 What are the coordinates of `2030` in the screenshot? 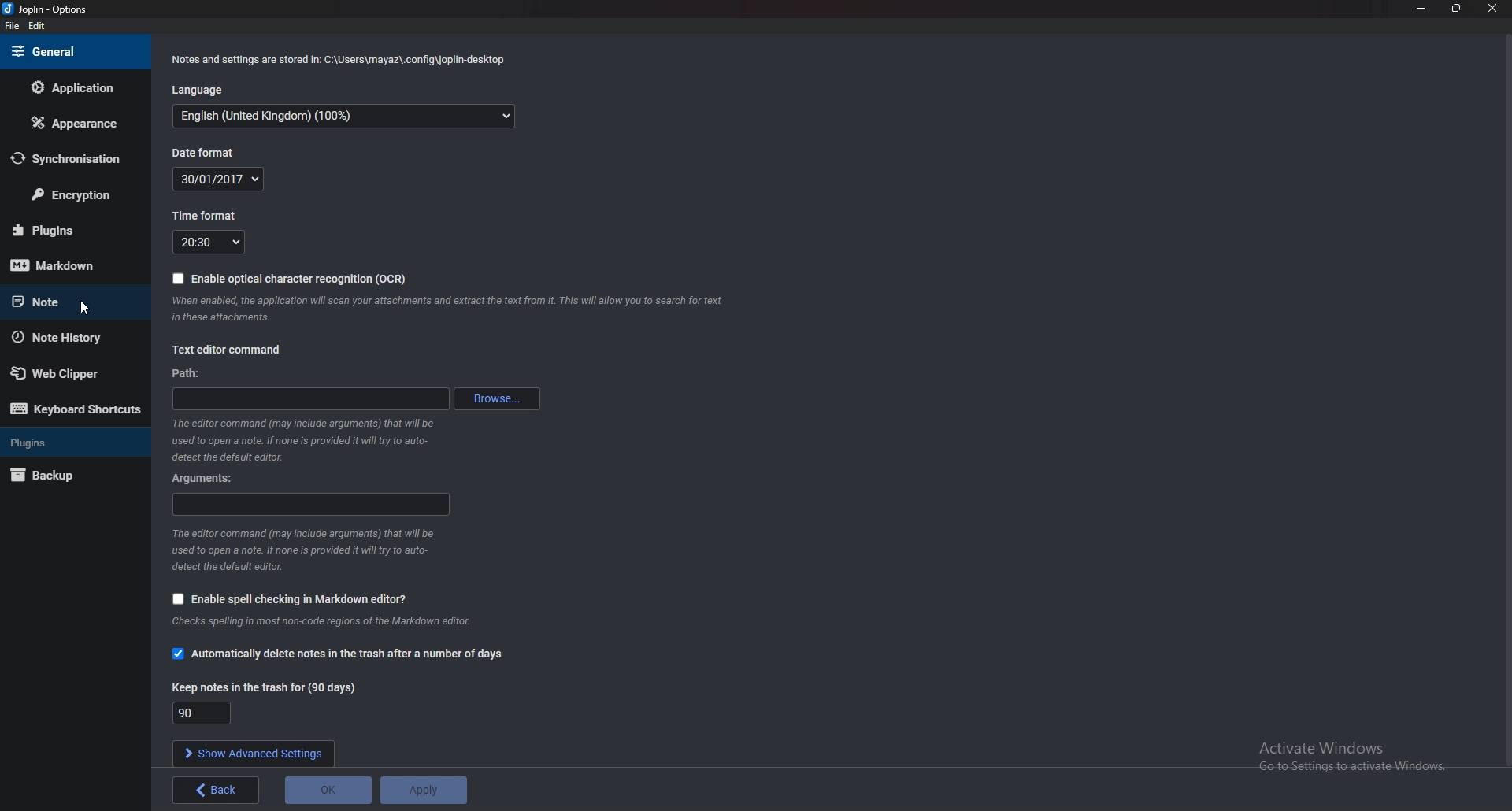 It's located at (209, 243).